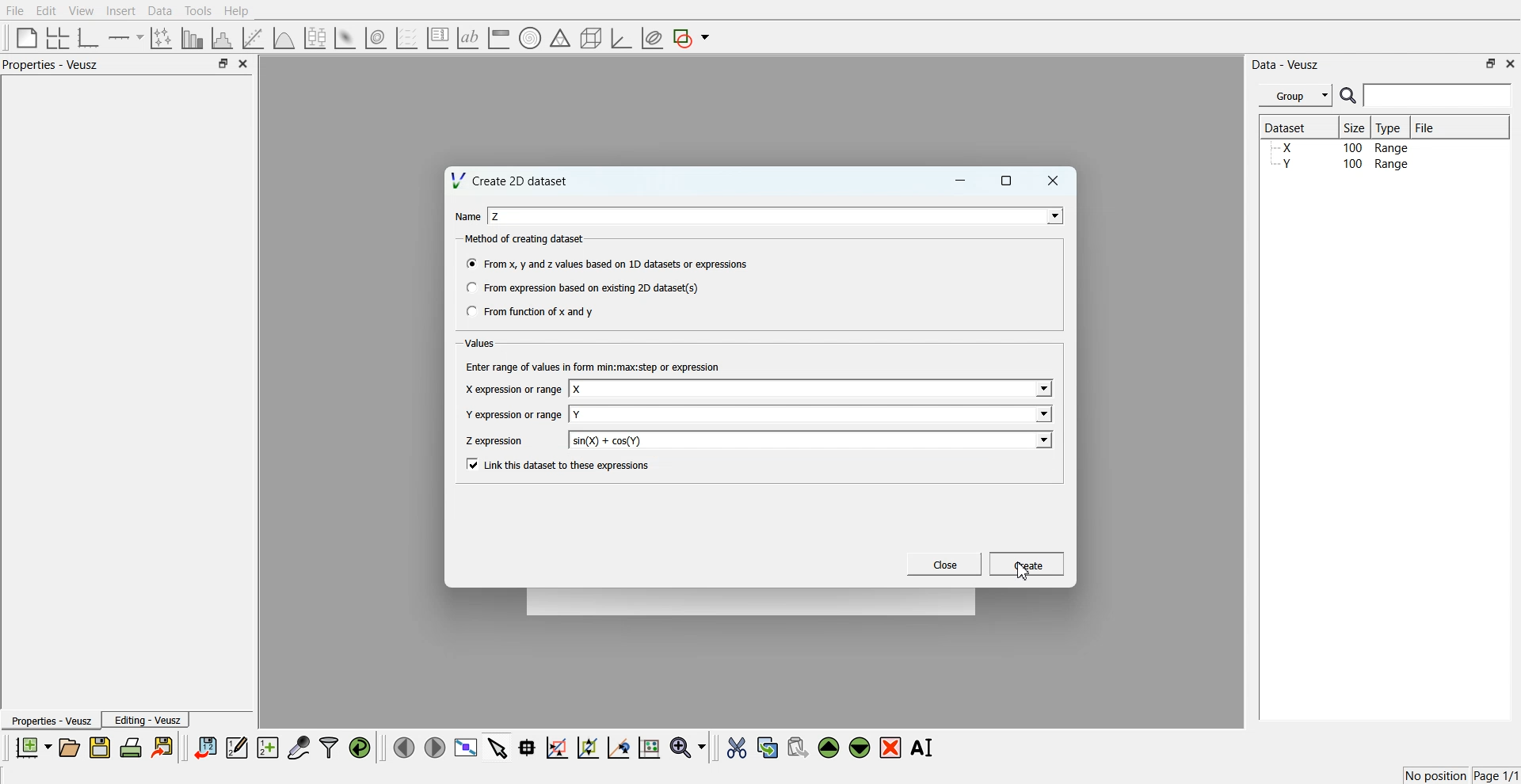  Describe the element at coordinates (468, 38) in the screenshot. I see `Text label` at that location.